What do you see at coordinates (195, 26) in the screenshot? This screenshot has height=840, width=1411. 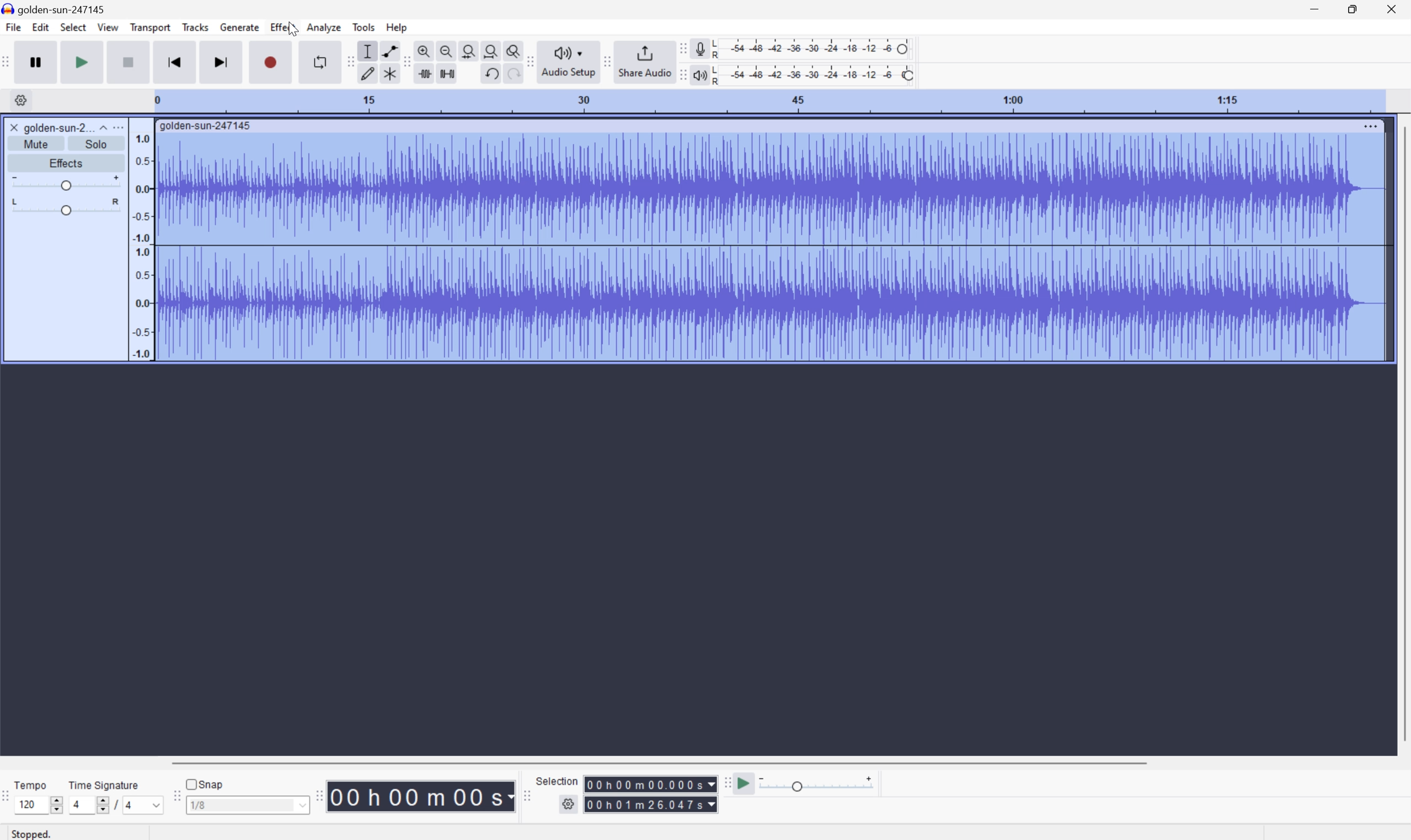 I see `Tracks` at bounding box center [195, 26].